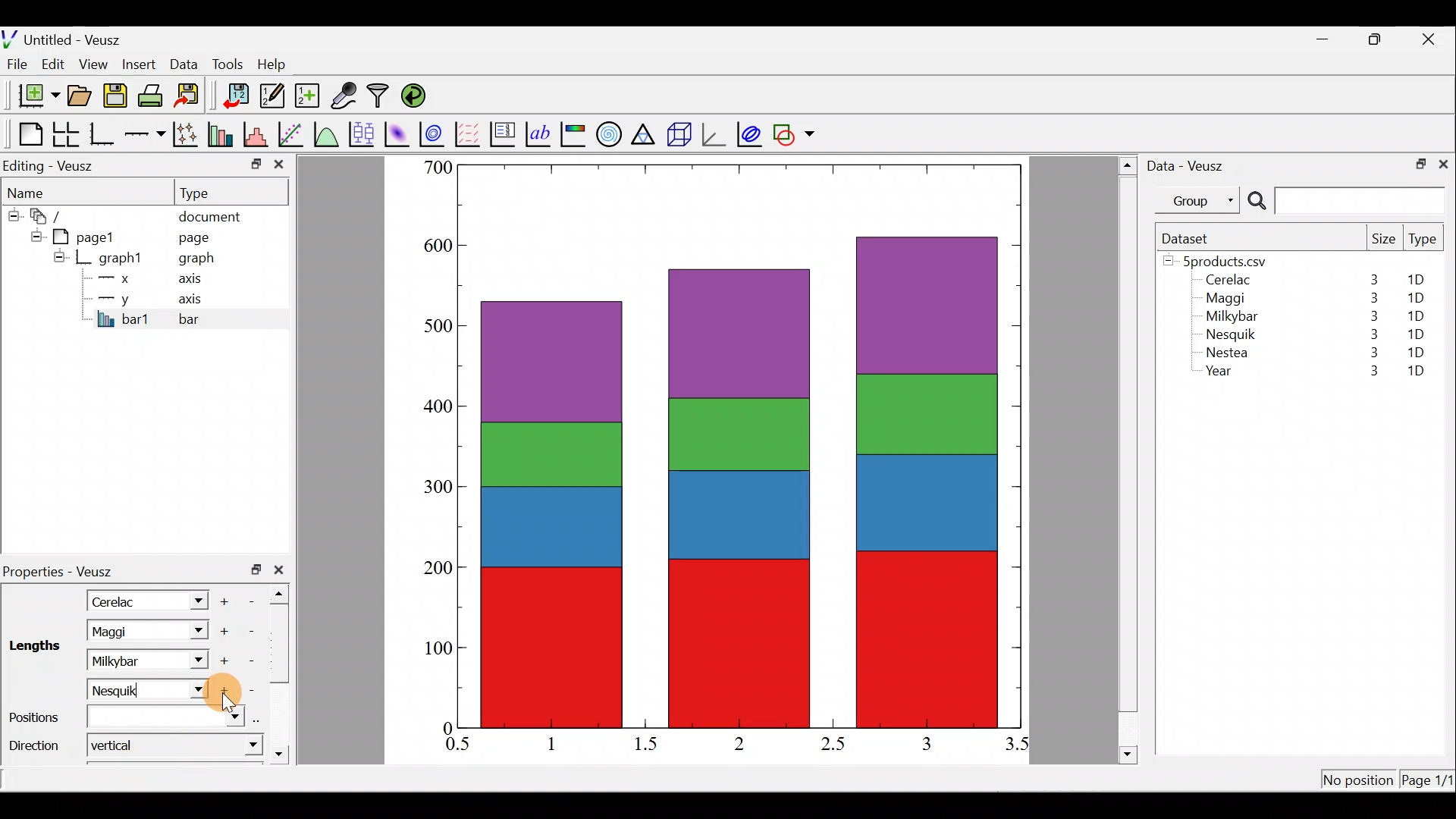 The height and width of the screenshot is (819, 1456). Describe the element at coordinates (284, 670) in the screenshot. I see `scroll bar` at that location.